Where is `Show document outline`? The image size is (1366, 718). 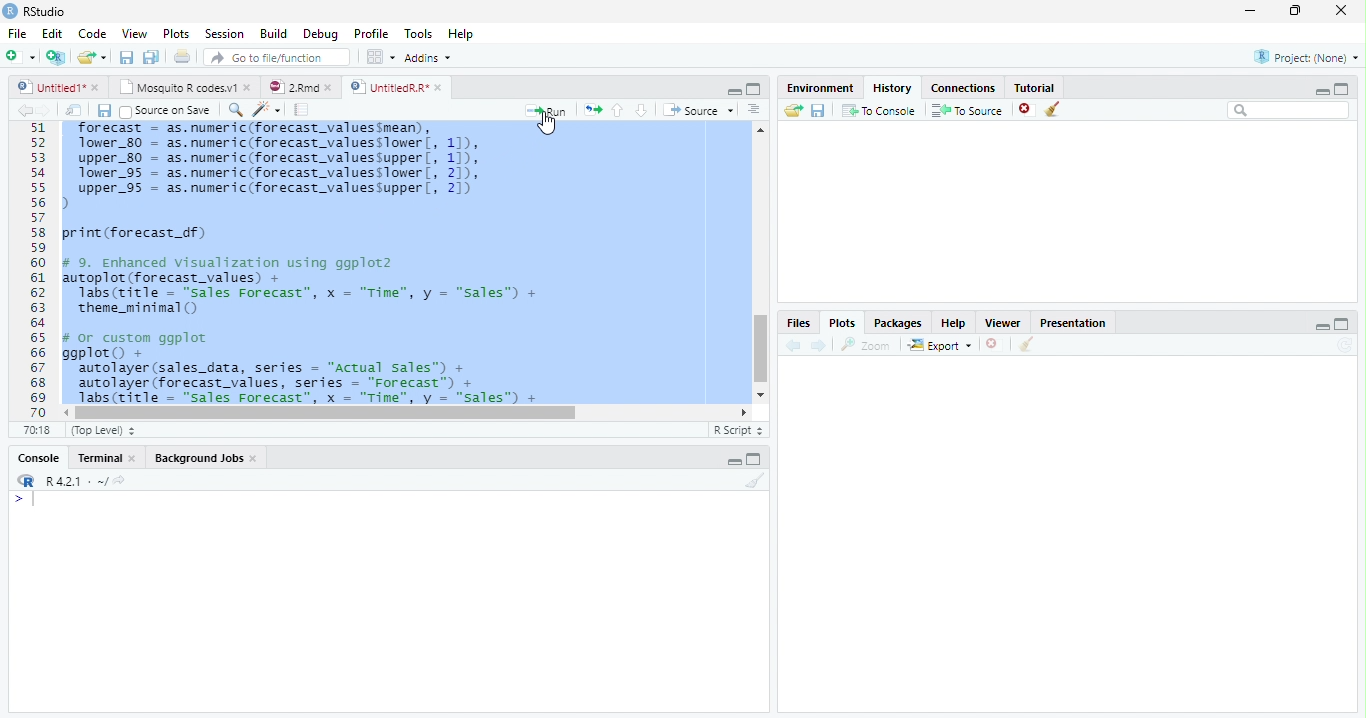
Show document outline is located at coordinates (754, 111).